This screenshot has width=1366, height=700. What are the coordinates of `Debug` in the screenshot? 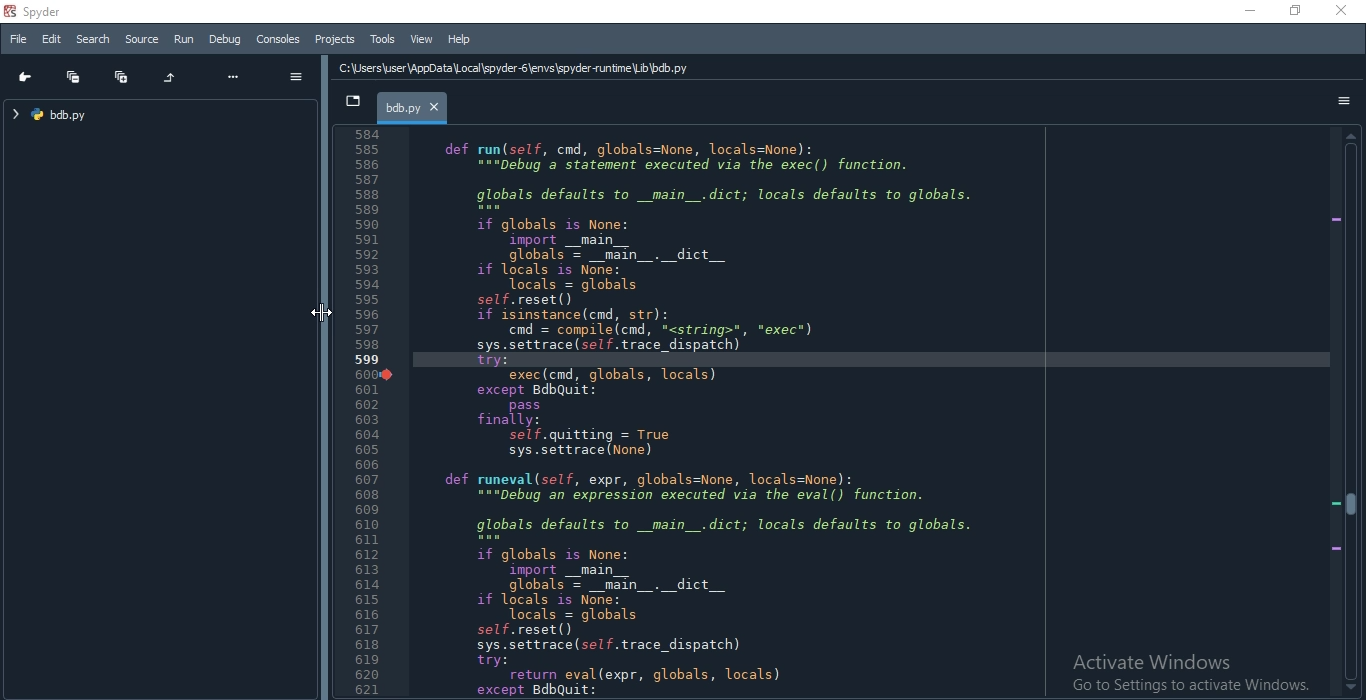 It's located at (226, 39).